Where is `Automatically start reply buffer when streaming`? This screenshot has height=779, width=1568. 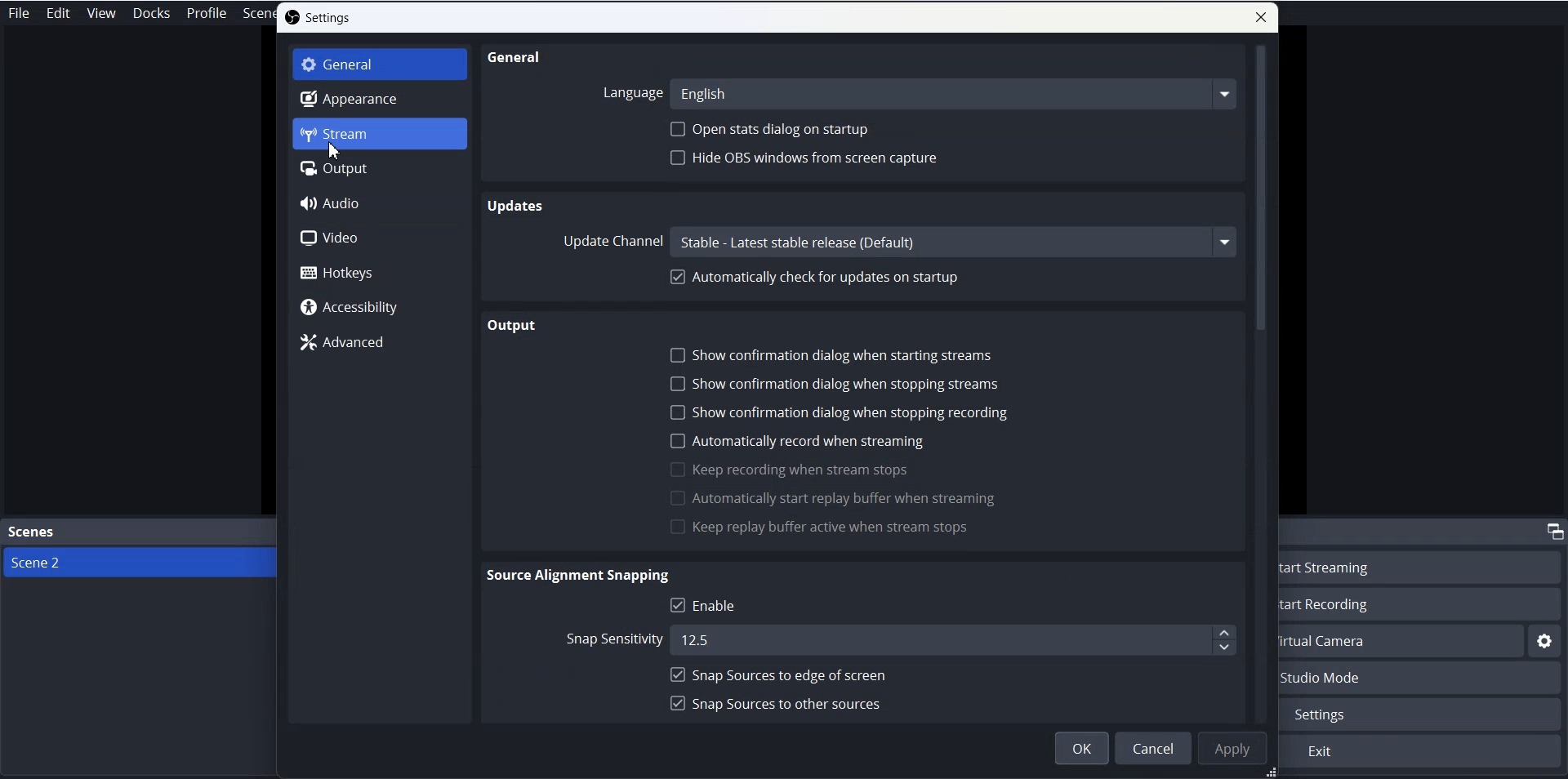
Automatically start reply buffer when streaming is located at coordinates (834, 498).